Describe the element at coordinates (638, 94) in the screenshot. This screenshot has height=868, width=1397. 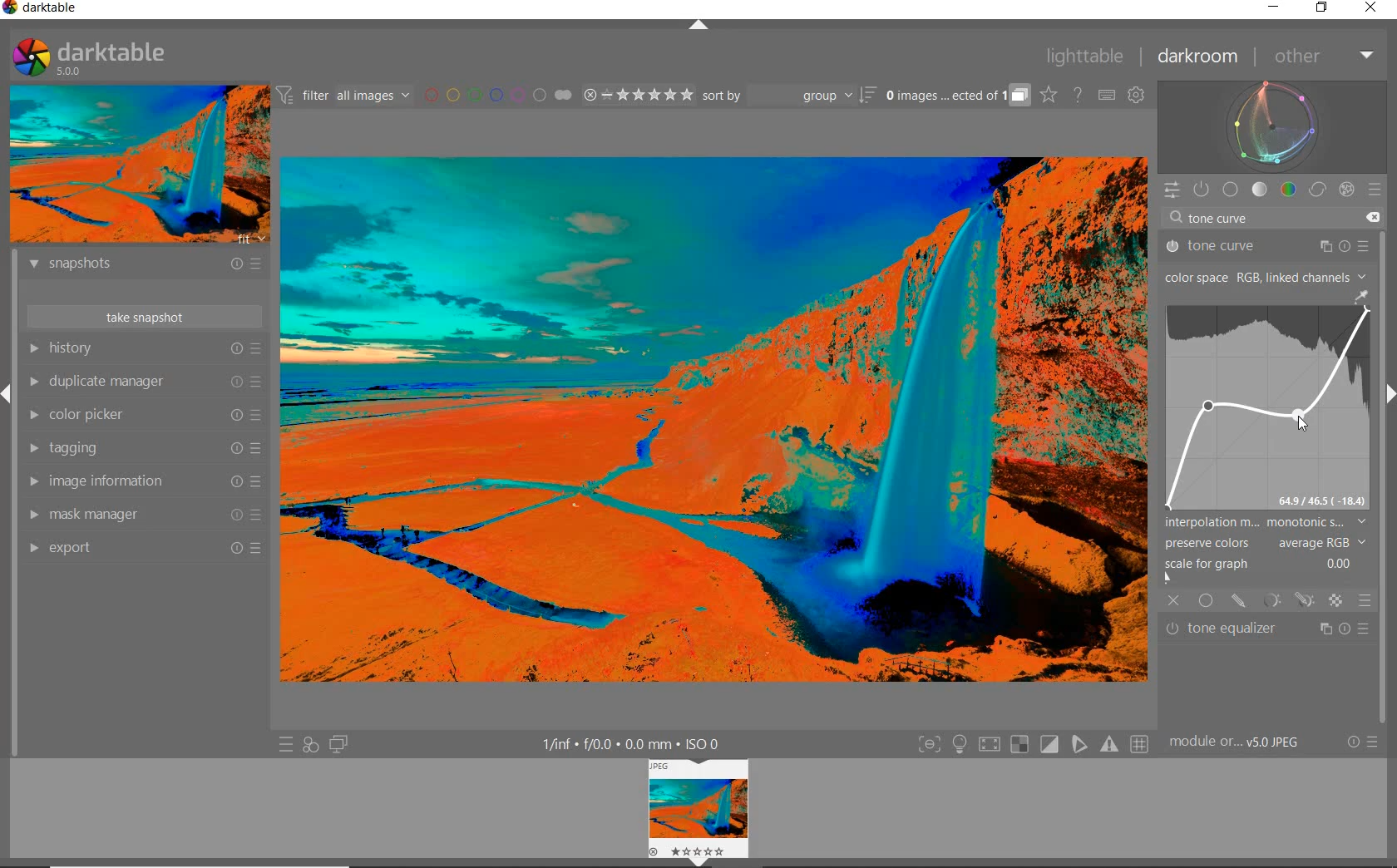
I see `RANGE RATING OF SELECTED IMAGES` at that location.